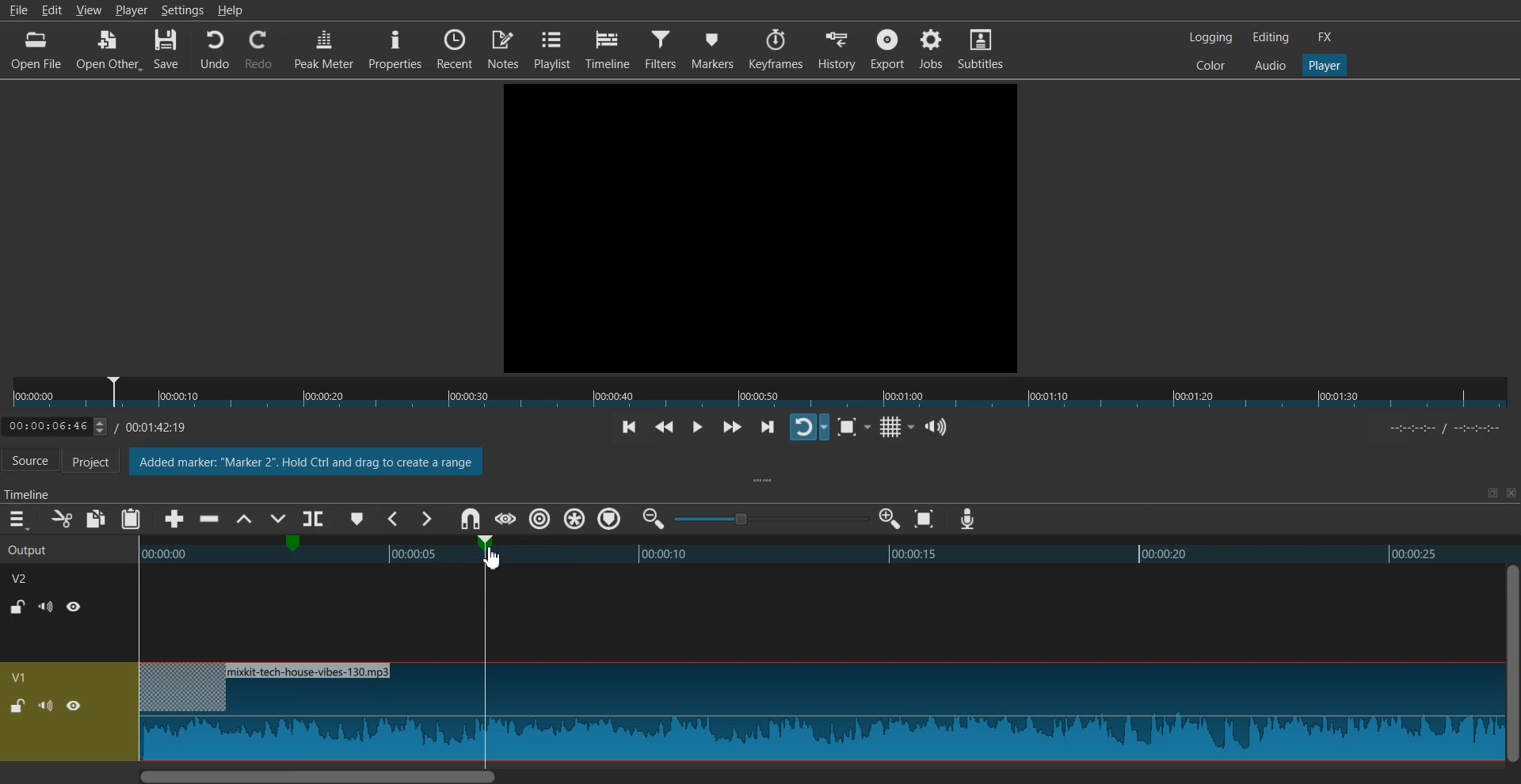 Image resolution: width=1521 pixels, height=784 pixels. What do you see at coordinates (540, 519) in the screenshot?
I see `Ripple` at bounding box center [540, 519].